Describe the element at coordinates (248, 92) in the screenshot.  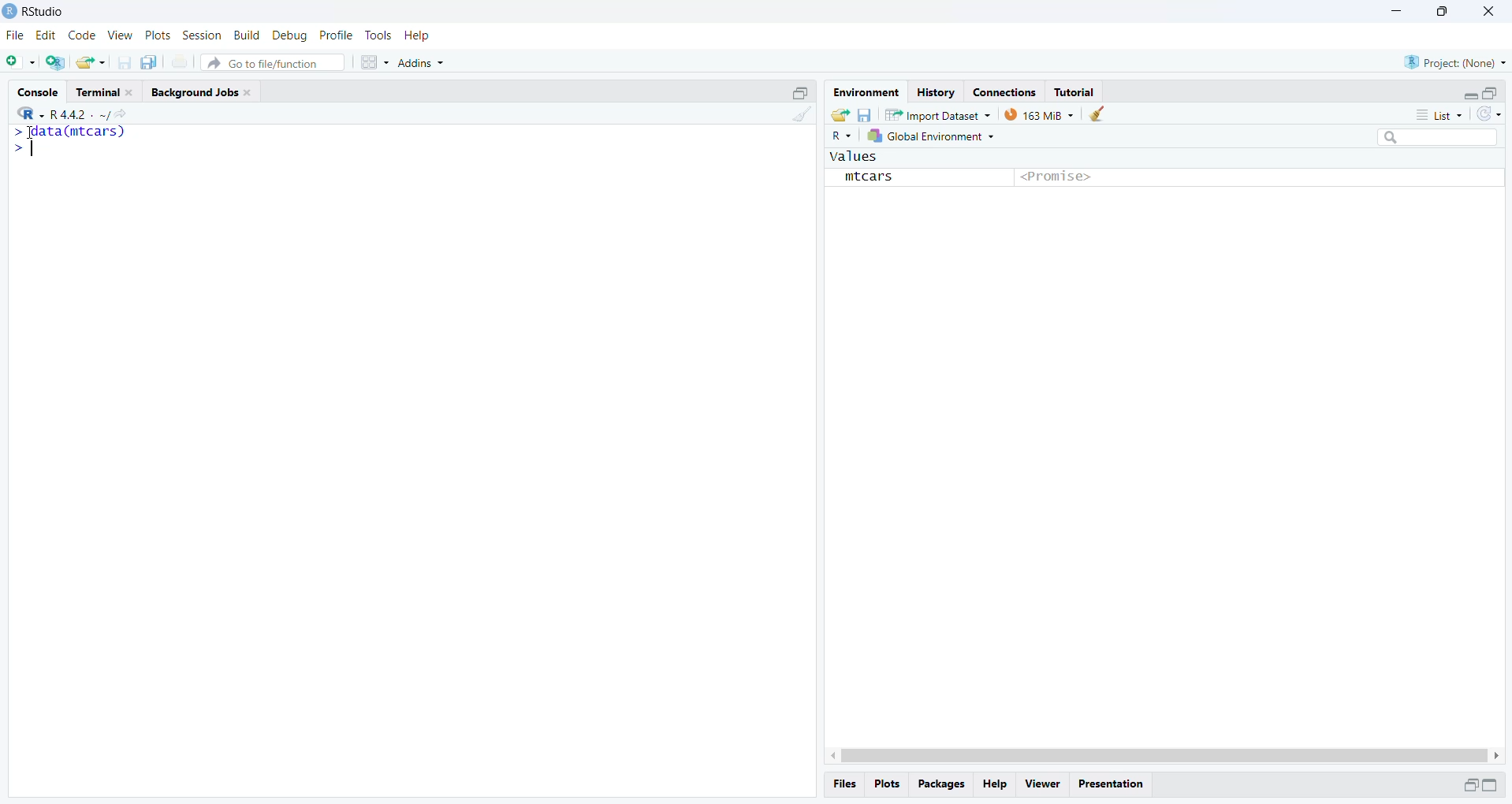
I see `close` at that location.